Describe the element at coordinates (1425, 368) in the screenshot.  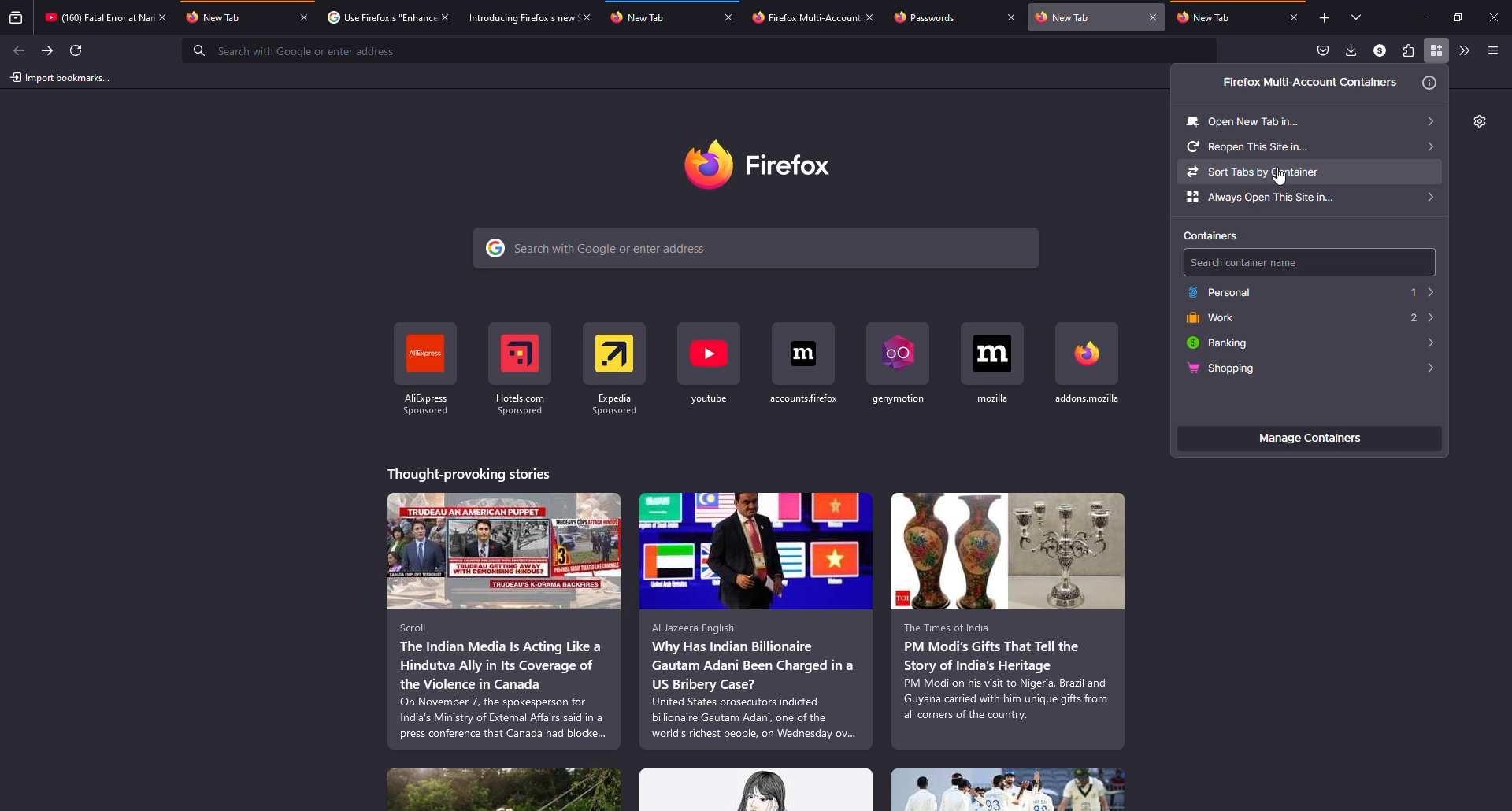
I see `expand` at that location.